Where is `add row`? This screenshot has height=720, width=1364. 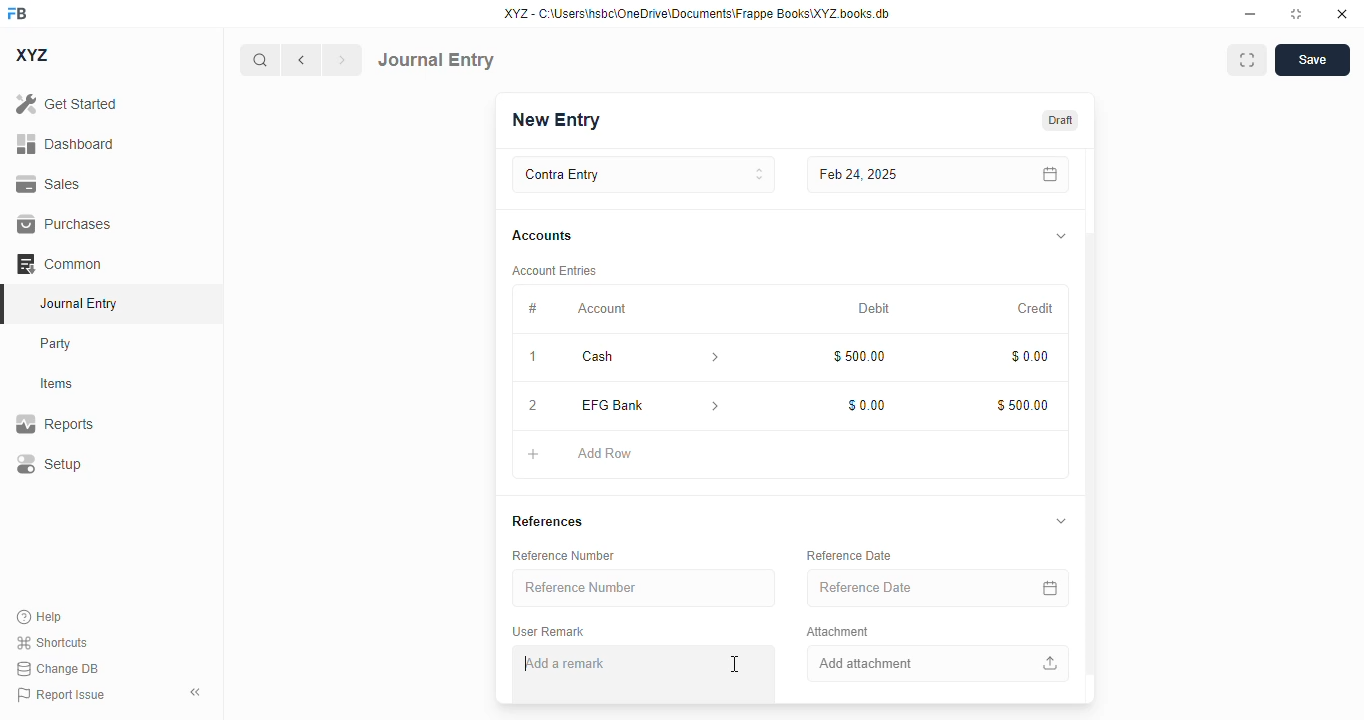 add row is located at coordinates (603, 454).